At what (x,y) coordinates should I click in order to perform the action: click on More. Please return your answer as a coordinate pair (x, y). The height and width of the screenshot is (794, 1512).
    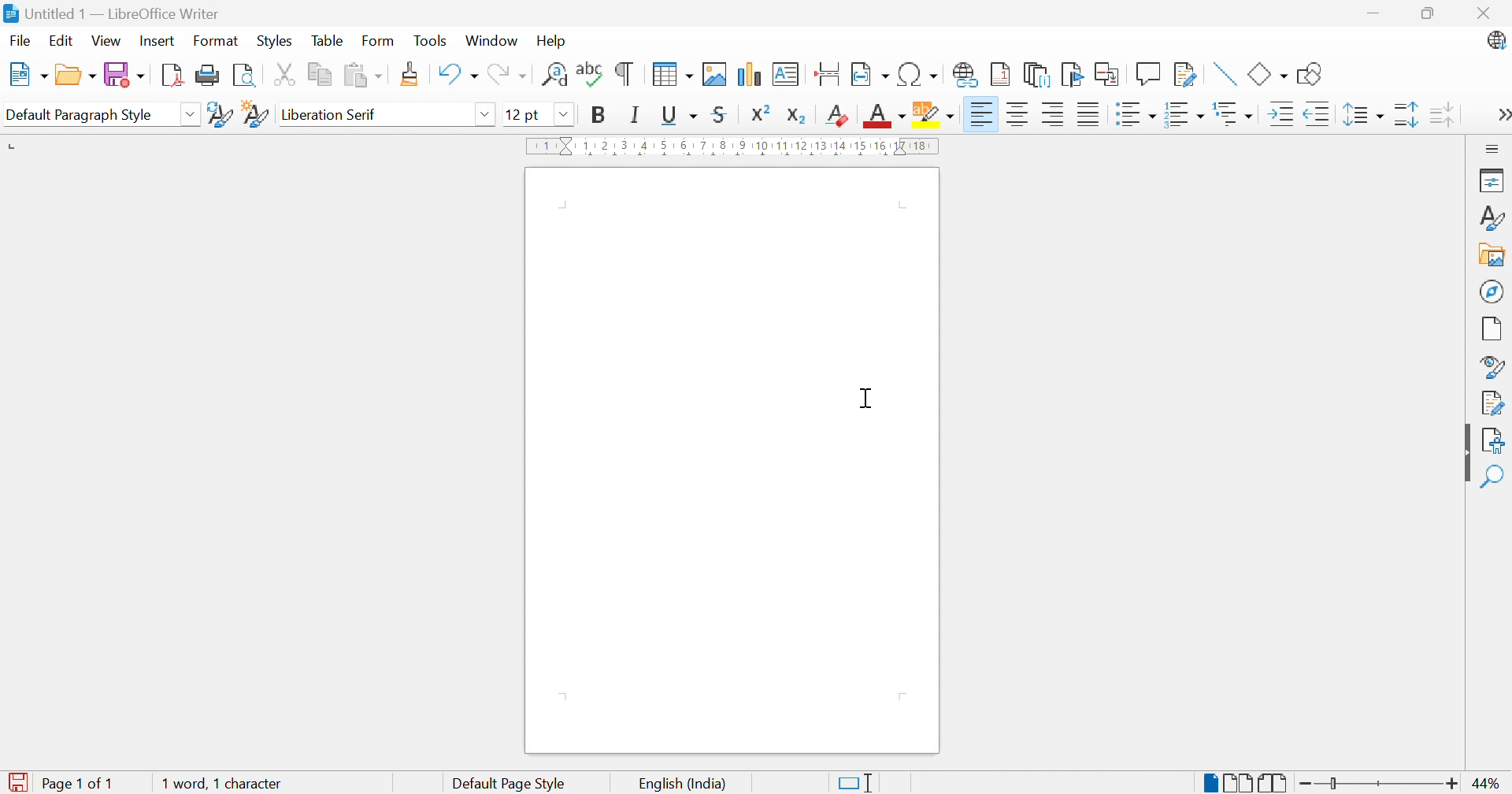
    Looking at the image, I should click on (1503, 117).